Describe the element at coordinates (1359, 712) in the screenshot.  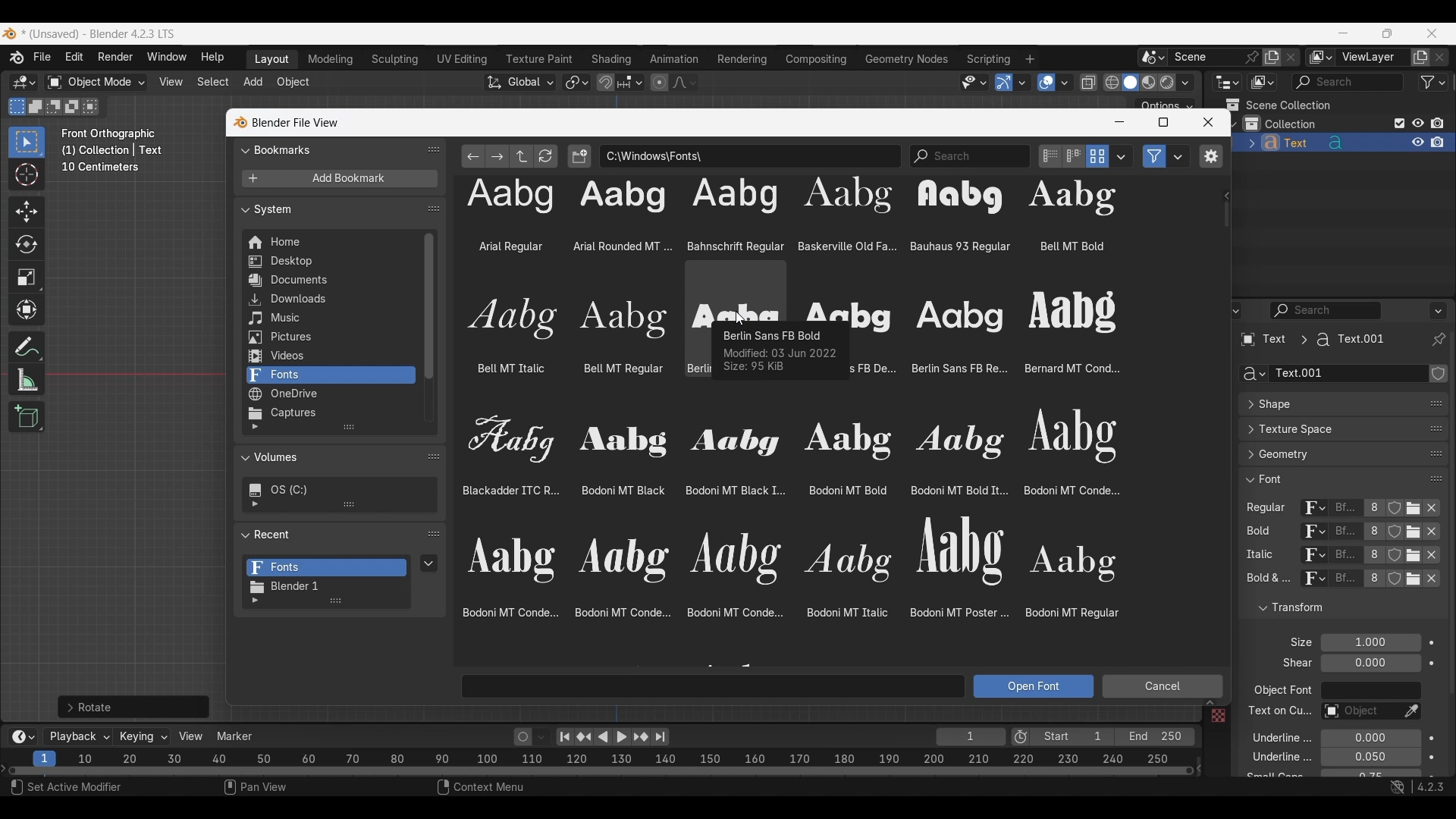
I see `Text on curve` at that location.